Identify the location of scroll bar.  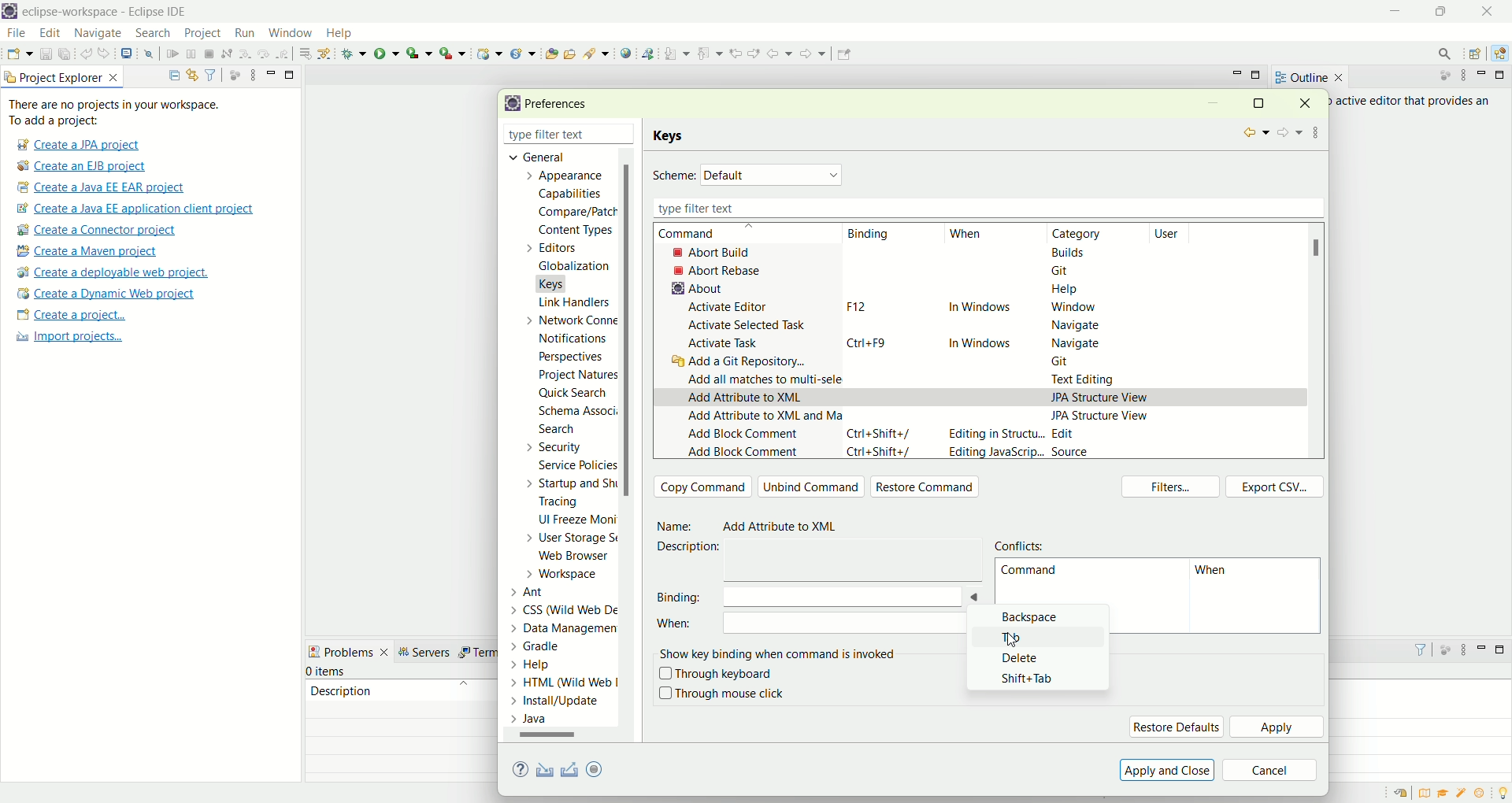
(632, 446).